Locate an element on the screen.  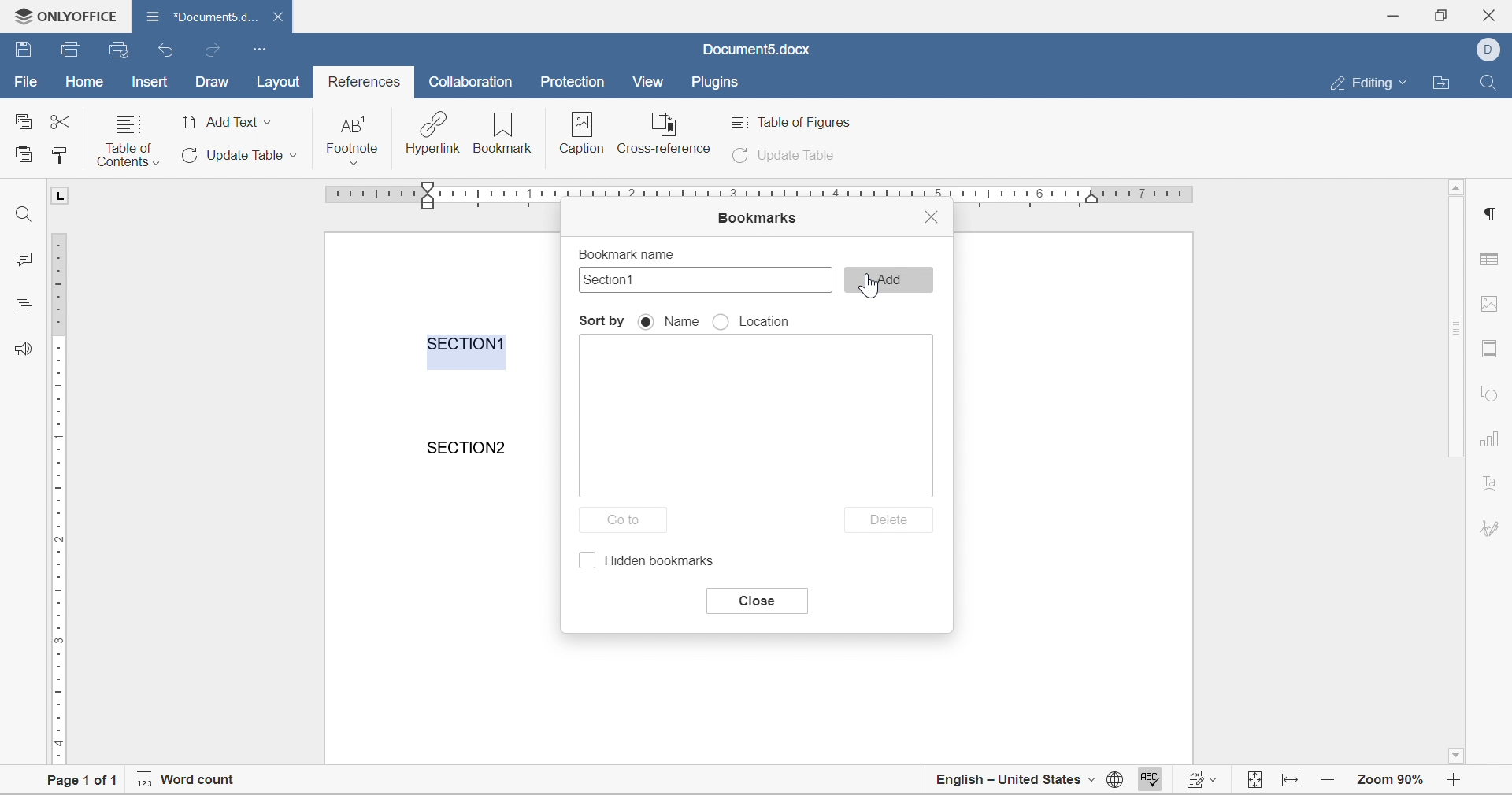
collaboration is located at coordinates (473, 82).